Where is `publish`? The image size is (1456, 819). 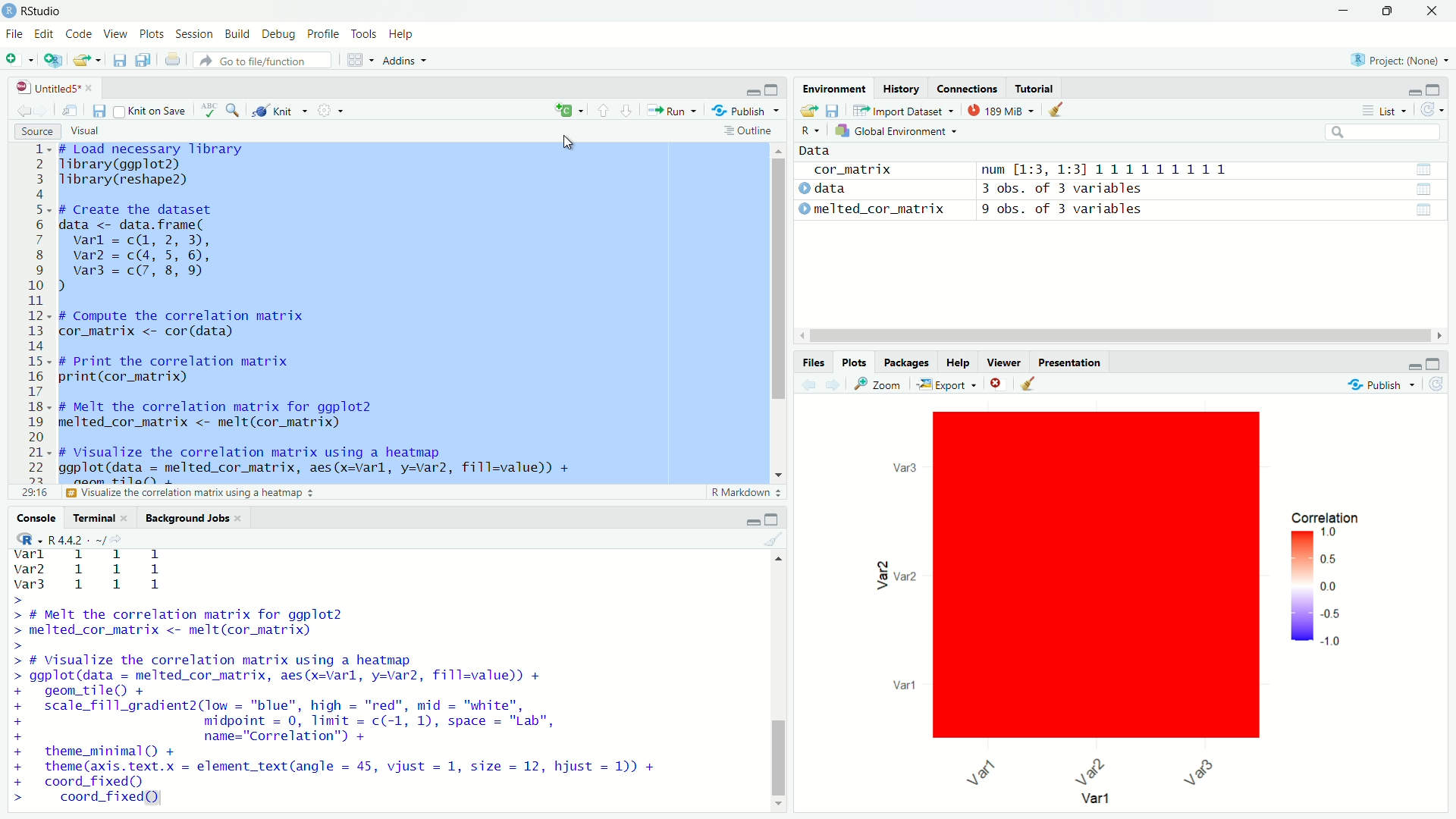
publish is located at coordinates (745, 111).